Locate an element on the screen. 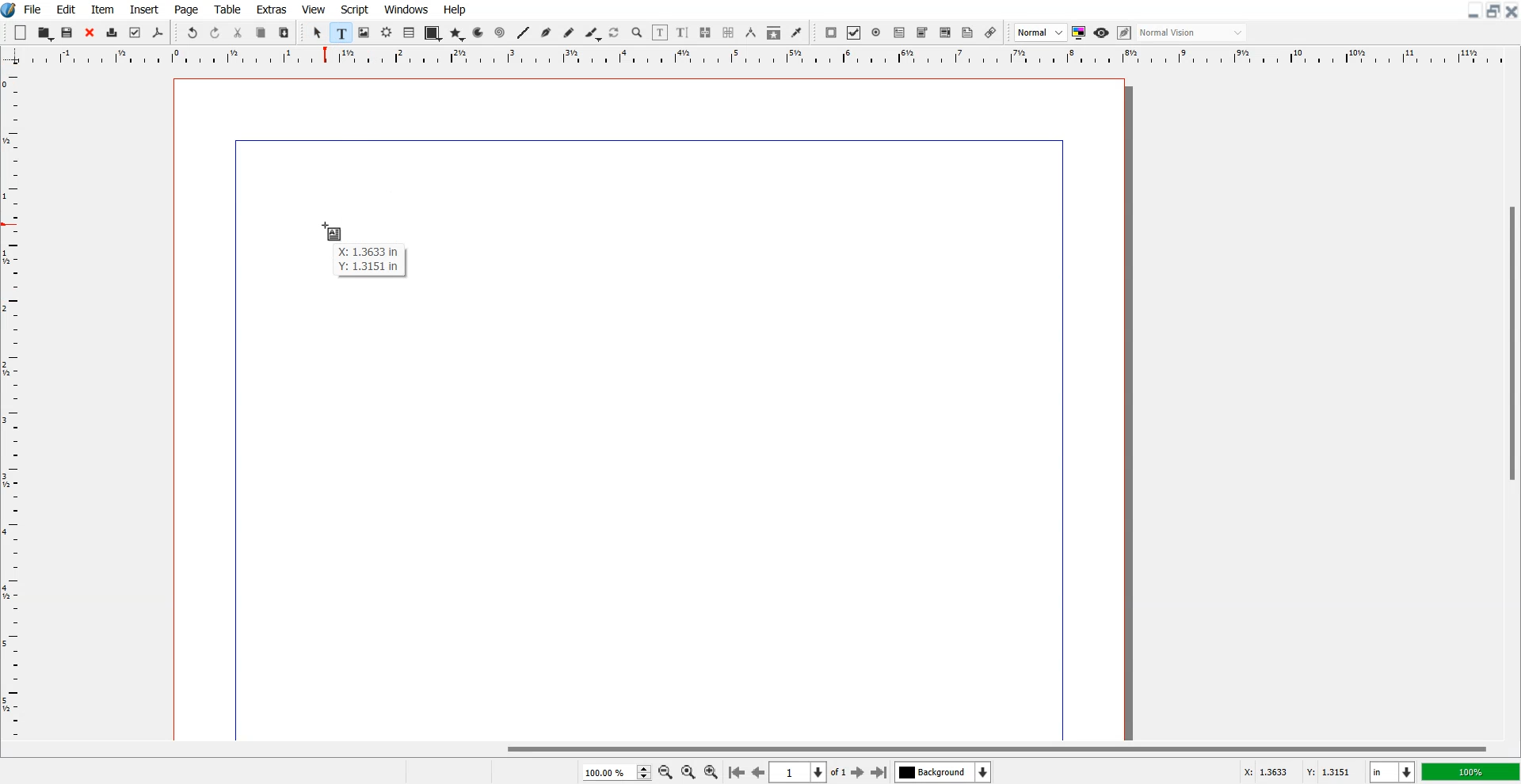 The height and width of the screenshot is (784, 1521). Text Frame is located at coordinates (342, 32).